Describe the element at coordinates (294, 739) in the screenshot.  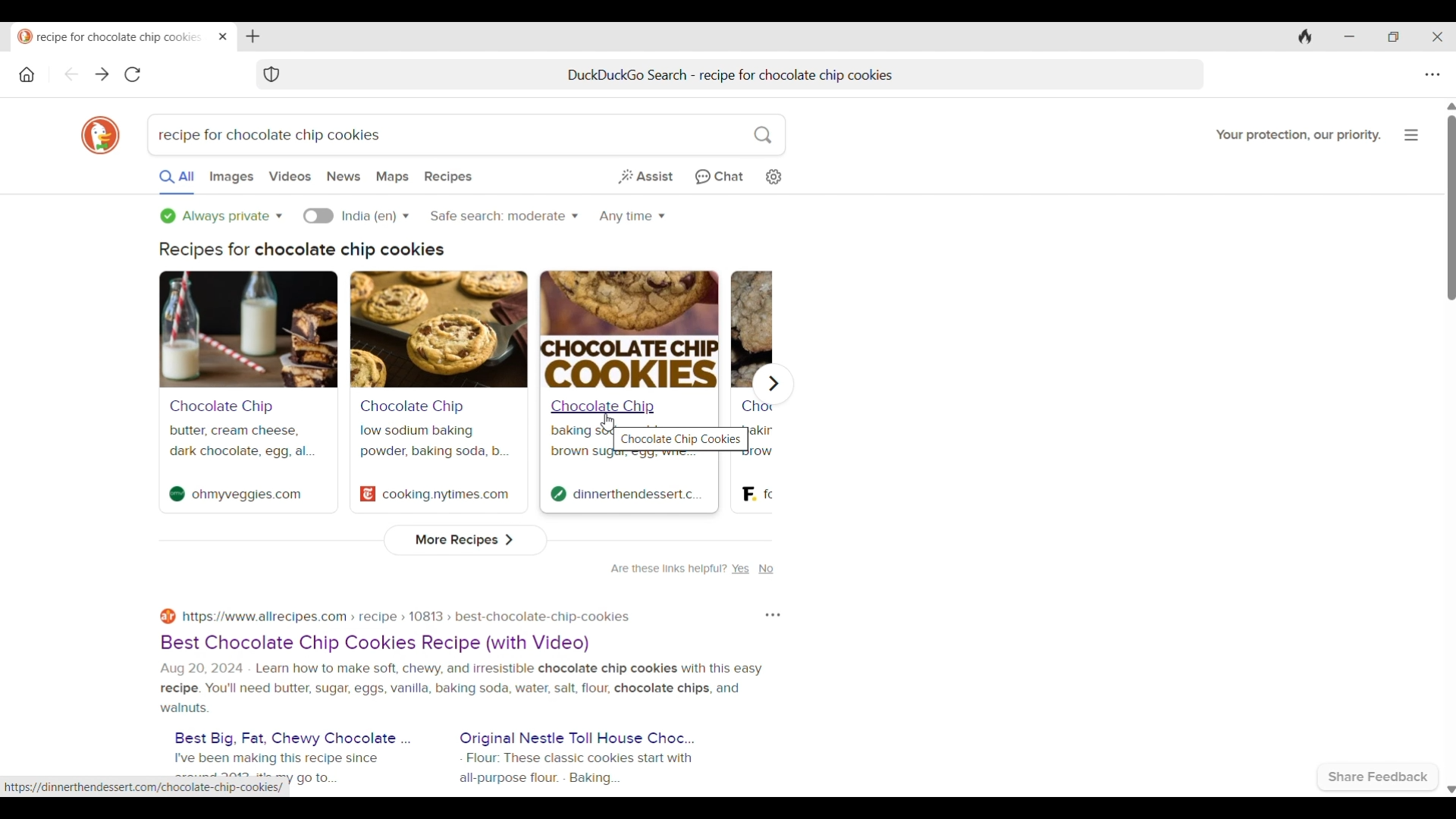
I see `Best Big, Fat, Chewy Chocolate ...` at that location.